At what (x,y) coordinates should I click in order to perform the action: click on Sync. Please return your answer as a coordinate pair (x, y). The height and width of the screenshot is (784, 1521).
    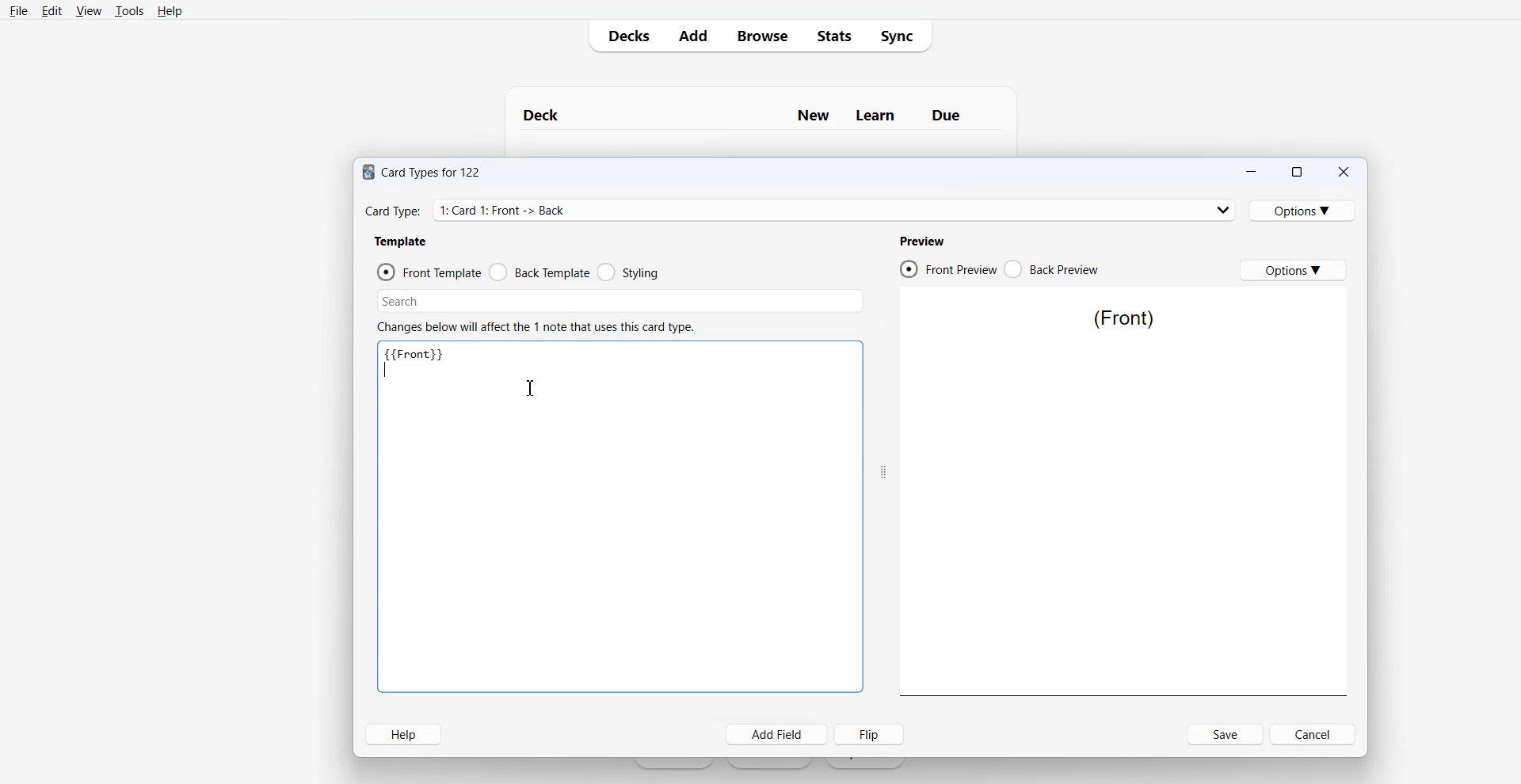
    Looking at the image, I should click on (902, 36).